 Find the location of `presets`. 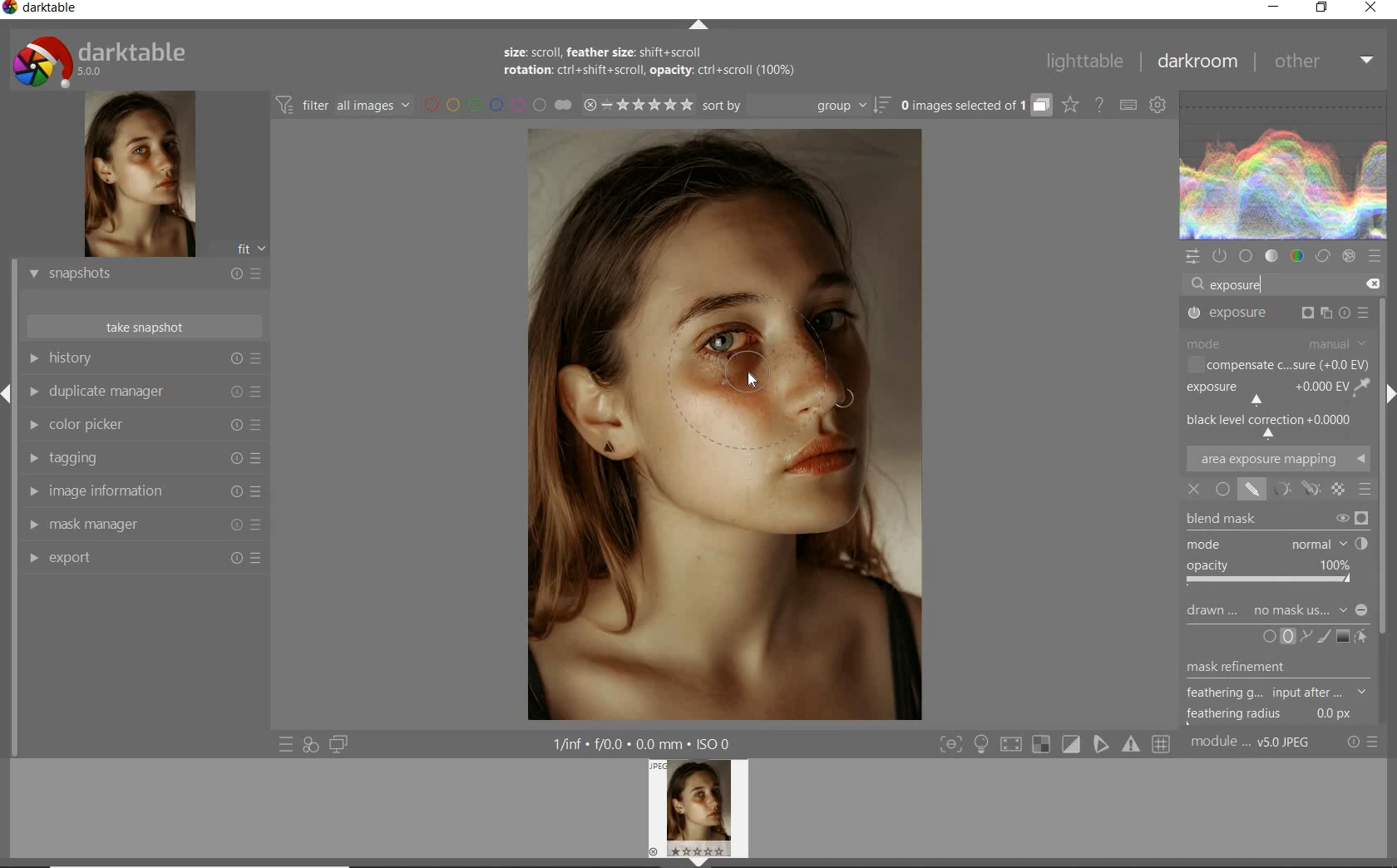

presets is located at coordinates (1375, 256).